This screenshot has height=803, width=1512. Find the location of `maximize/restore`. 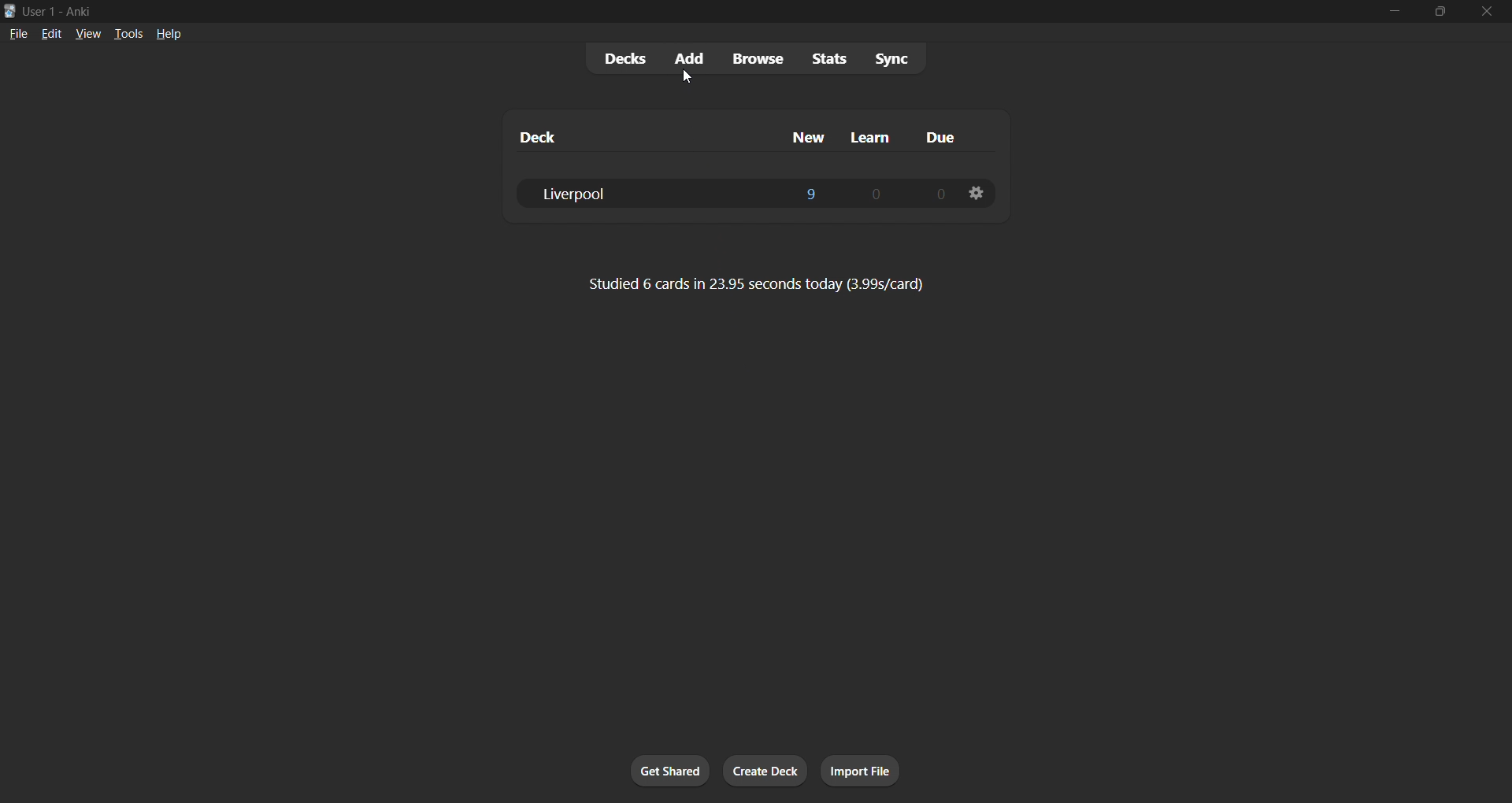

maximize/restore is located at coordinates (1438, 10).